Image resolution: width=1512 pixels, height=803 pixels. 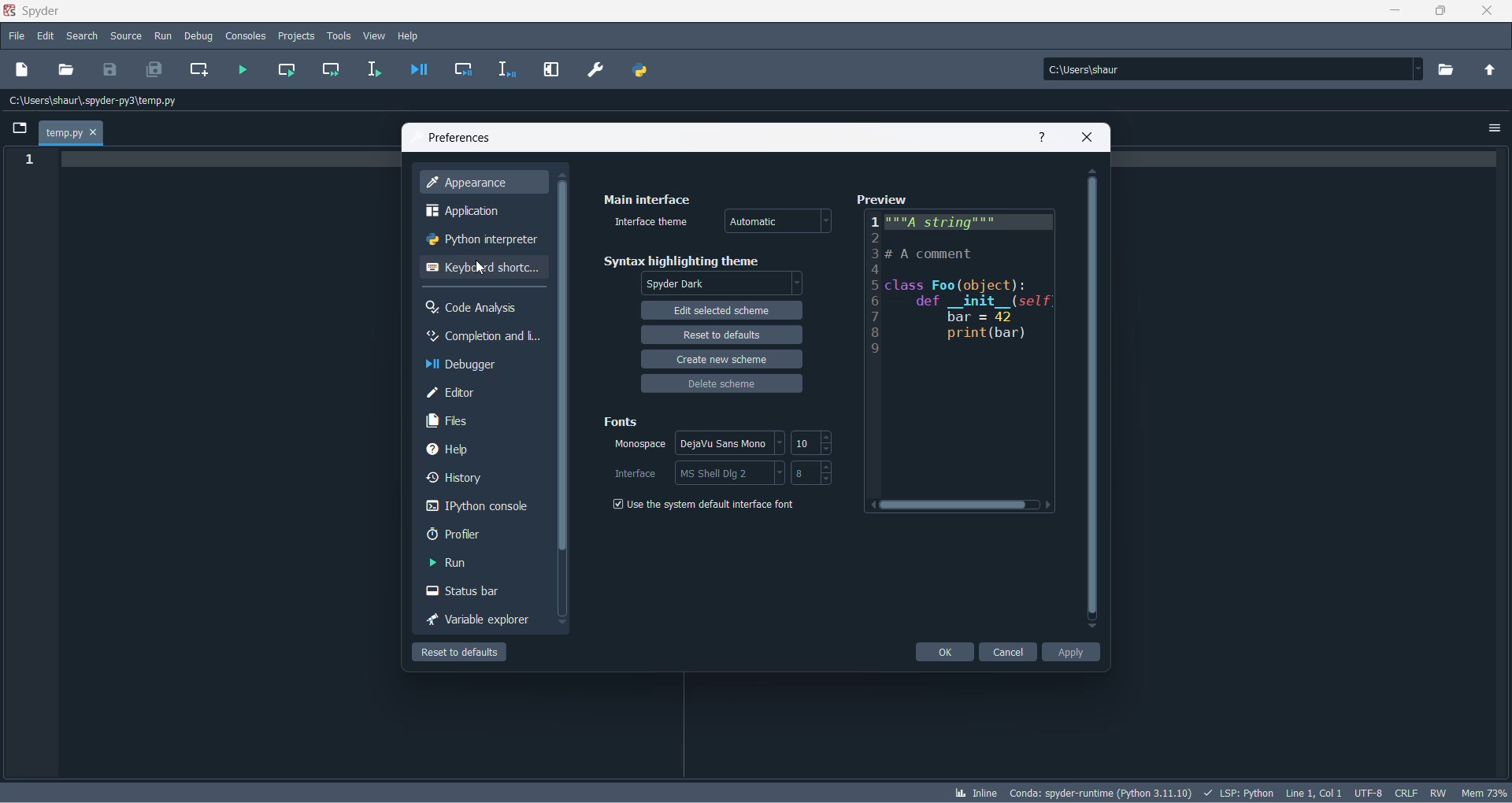 What do you see at coordinates (868, 506) in the screenshot?
I see `move left` at bounding box center [868, 506].